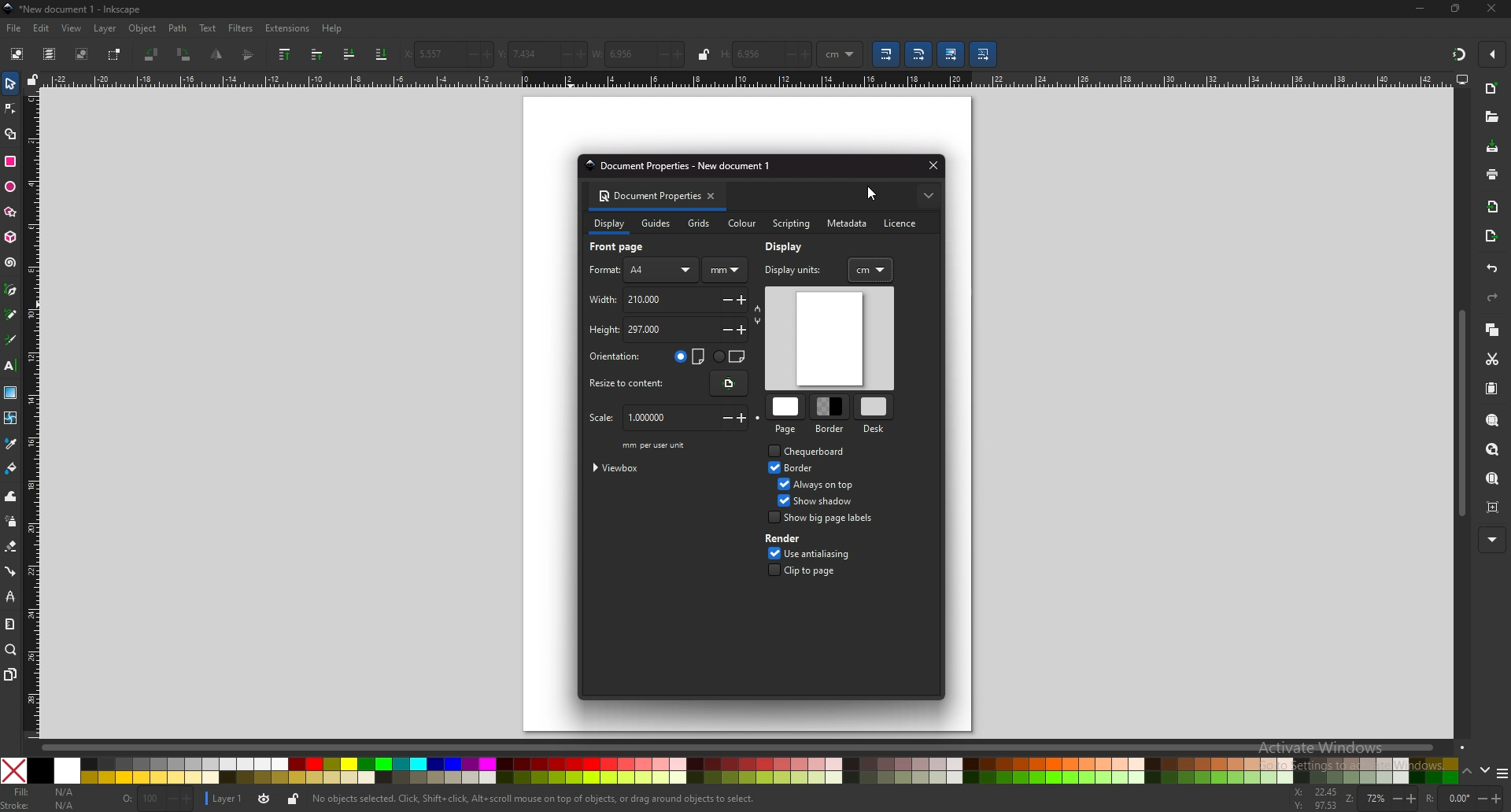  Describe the element at coordinates (10, 650) in the screenshot. I see `zoom` at that location.